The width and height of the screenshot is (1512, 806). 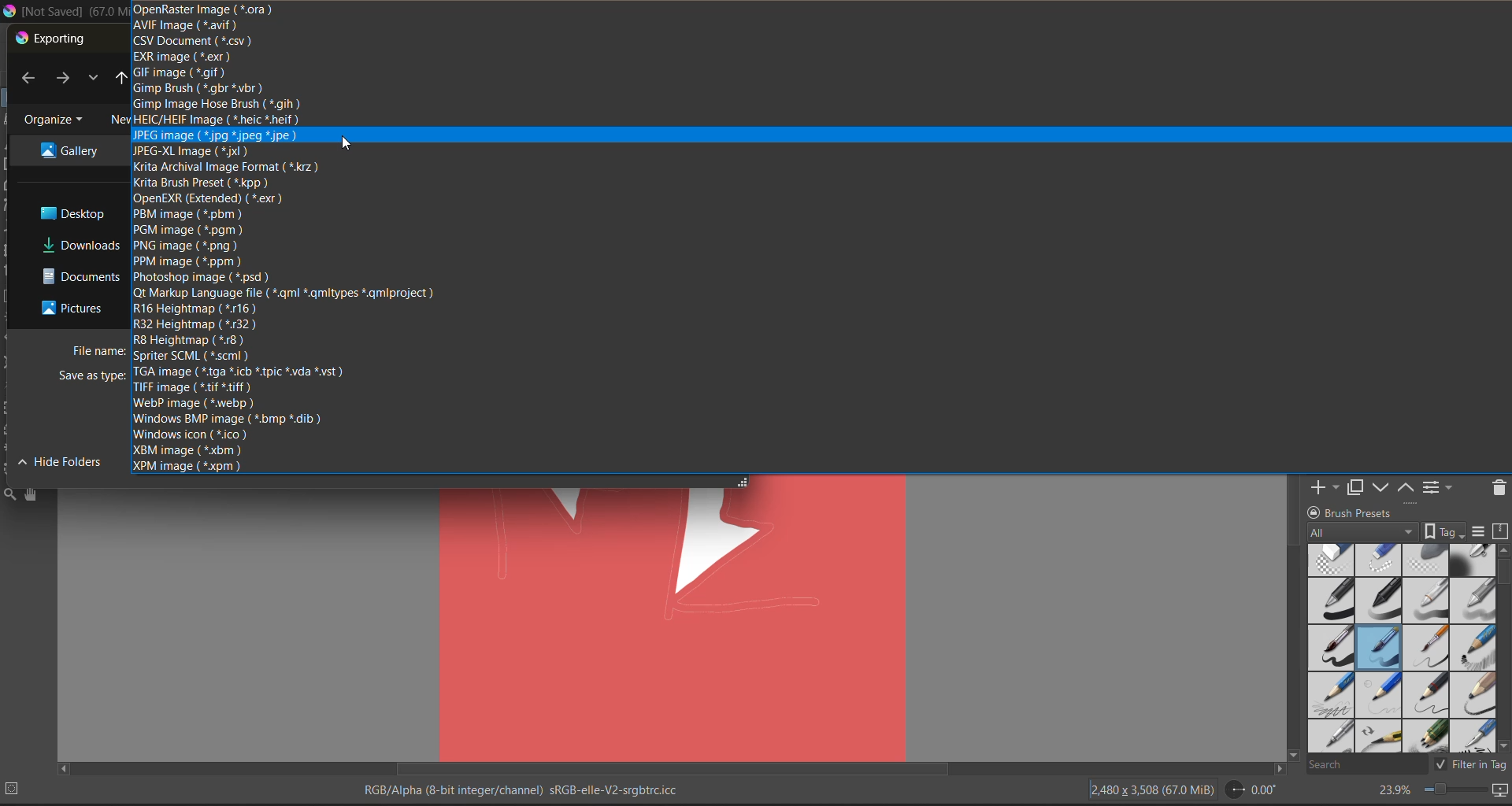 What do you see at coordinates (209, 200) in the screenshot?
I see `openexr` at bounding box center [209, 200].